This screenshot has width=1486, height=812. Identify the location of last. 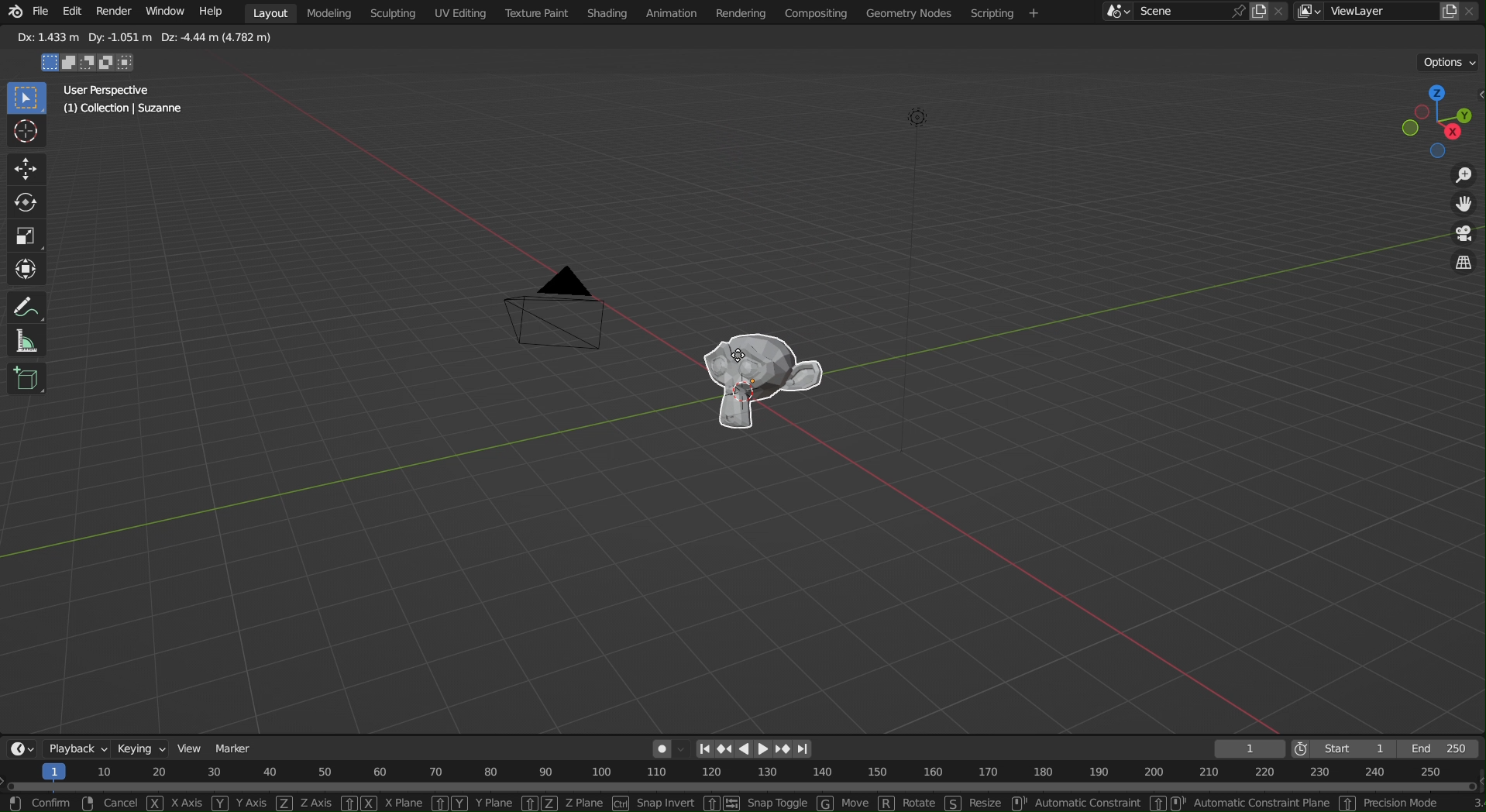
(809, 748).